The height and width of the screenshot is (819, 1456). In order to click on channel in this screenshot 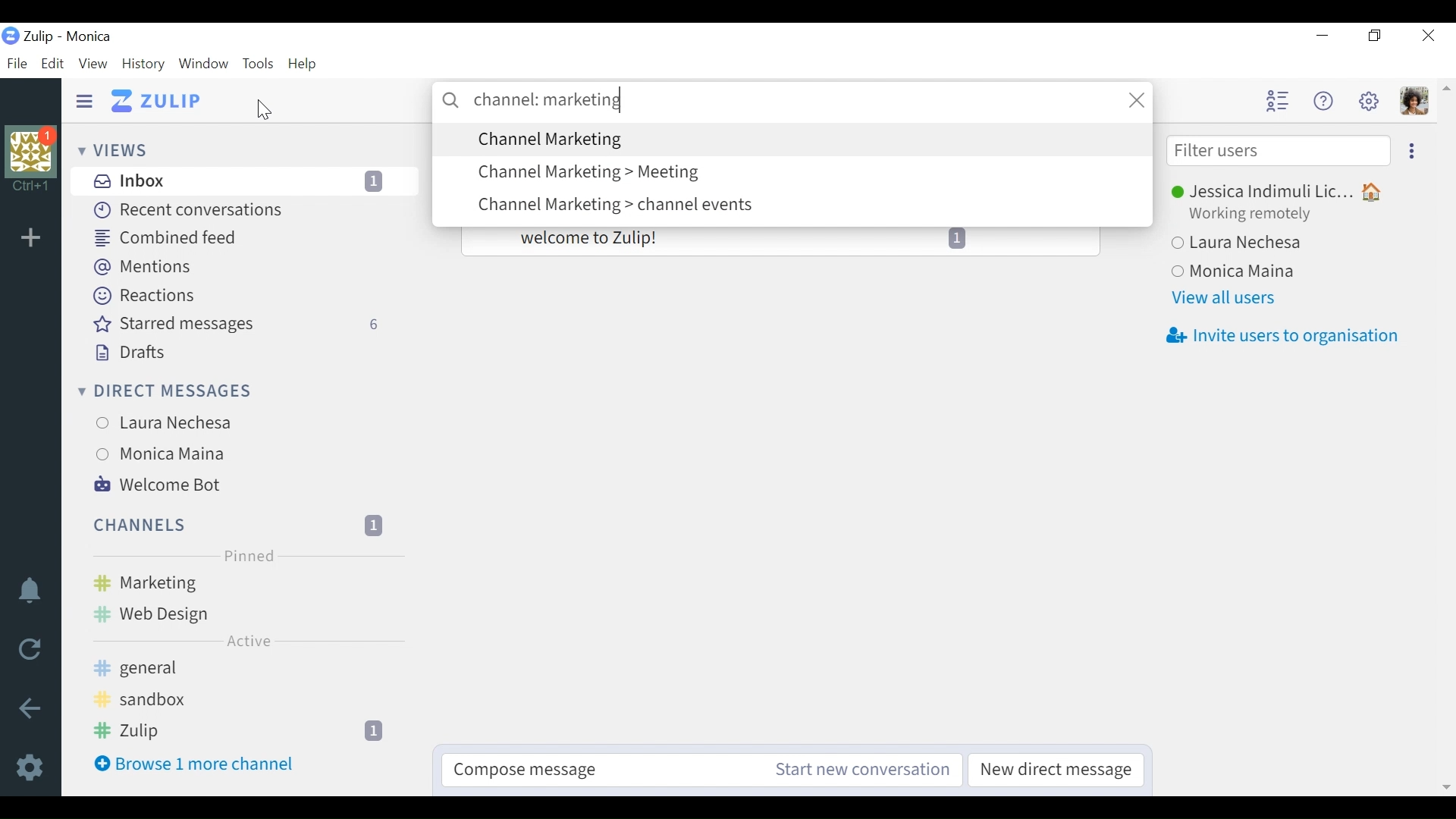, I will do `click(250, 732)`.